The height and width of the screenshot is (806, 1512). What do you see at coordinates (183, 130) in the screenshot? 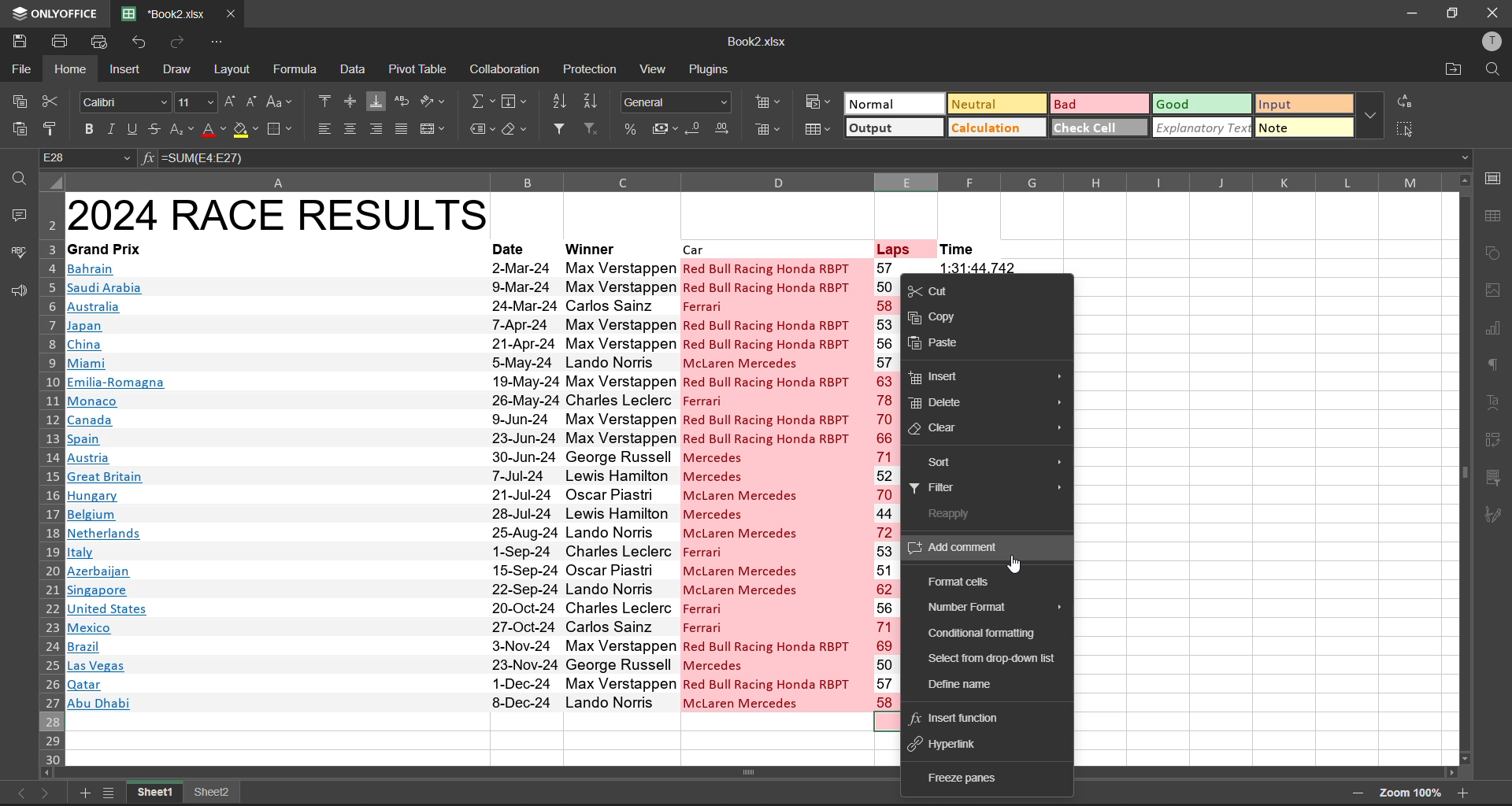
I see `sub/superscript` at bounding box center [183, 130].